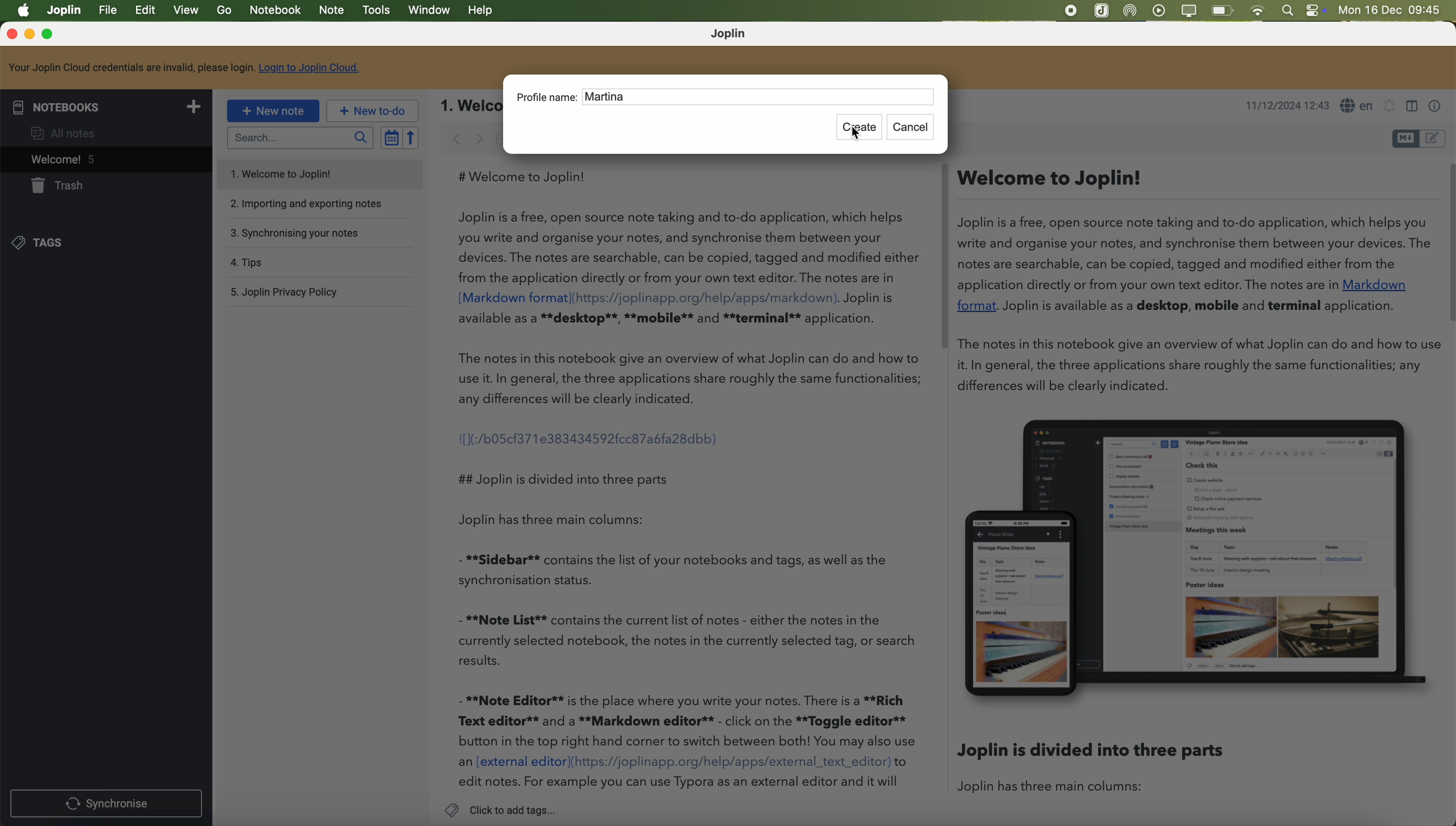  Describe the element at coordinates (60, 186) in the screenshot. I see `trash` at that location.